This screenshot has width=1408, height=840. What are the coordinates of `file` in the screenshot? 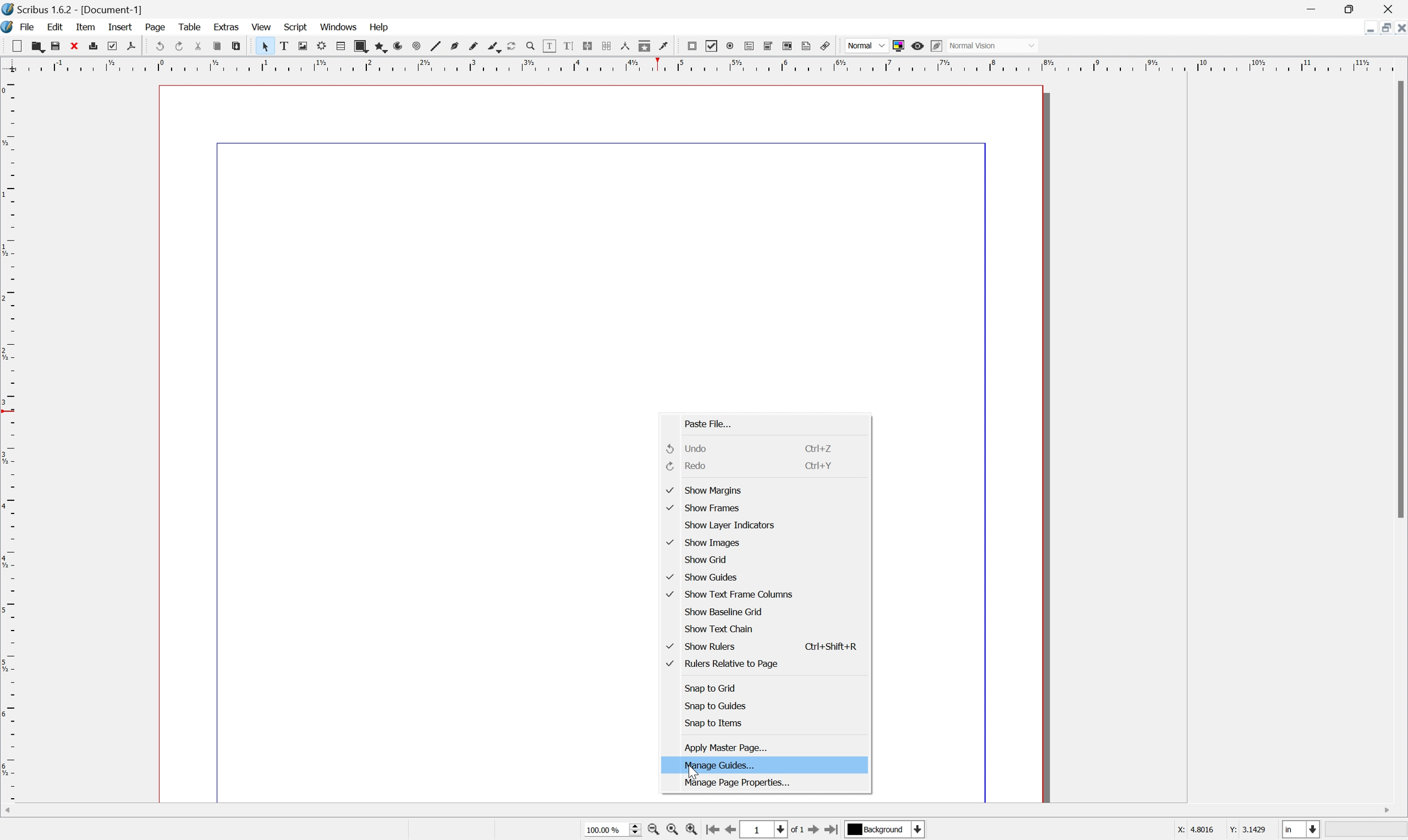 It's located at (27, 27).